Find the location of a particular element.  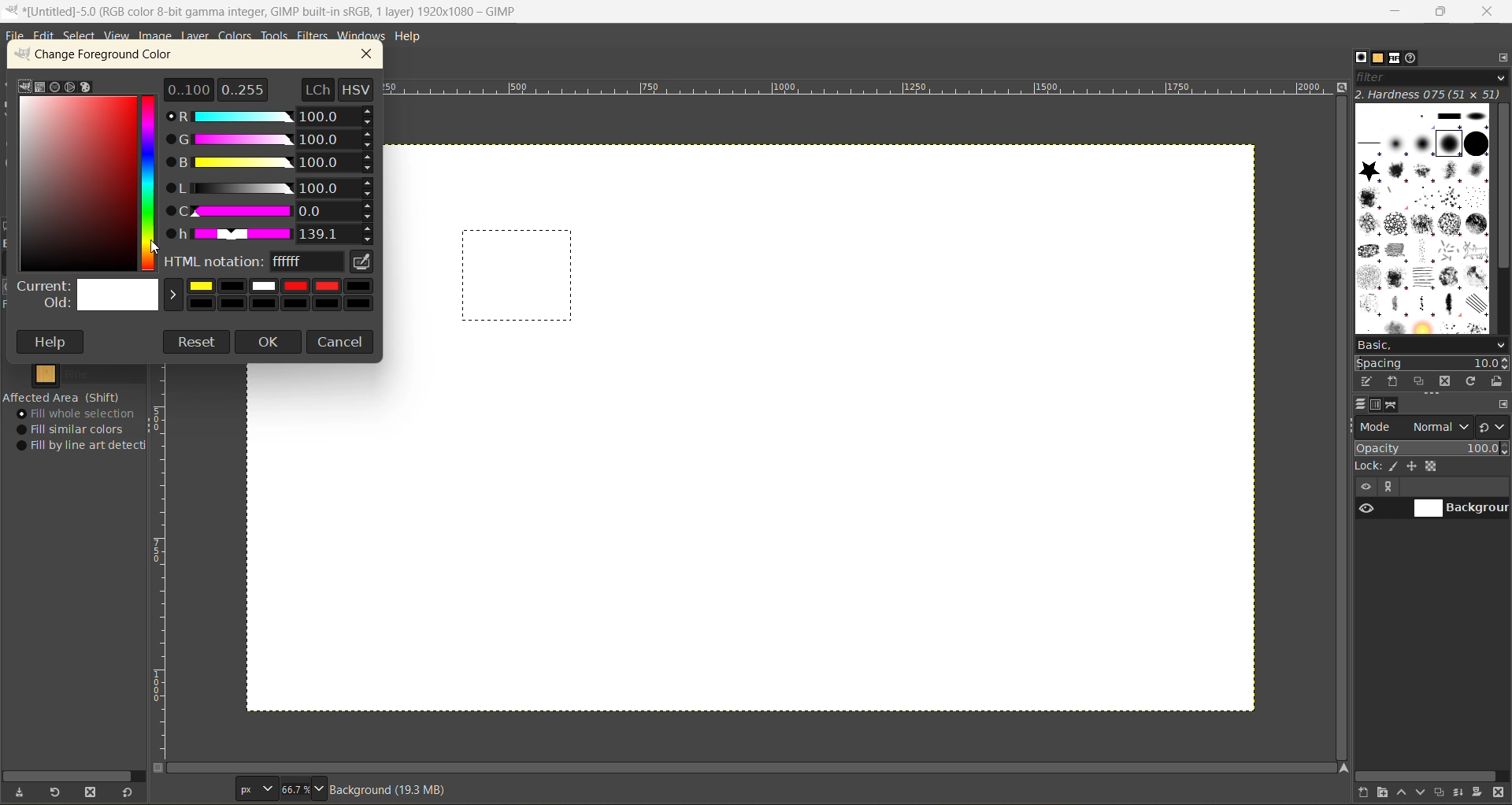

configure is located at coordinates (1501, 61).